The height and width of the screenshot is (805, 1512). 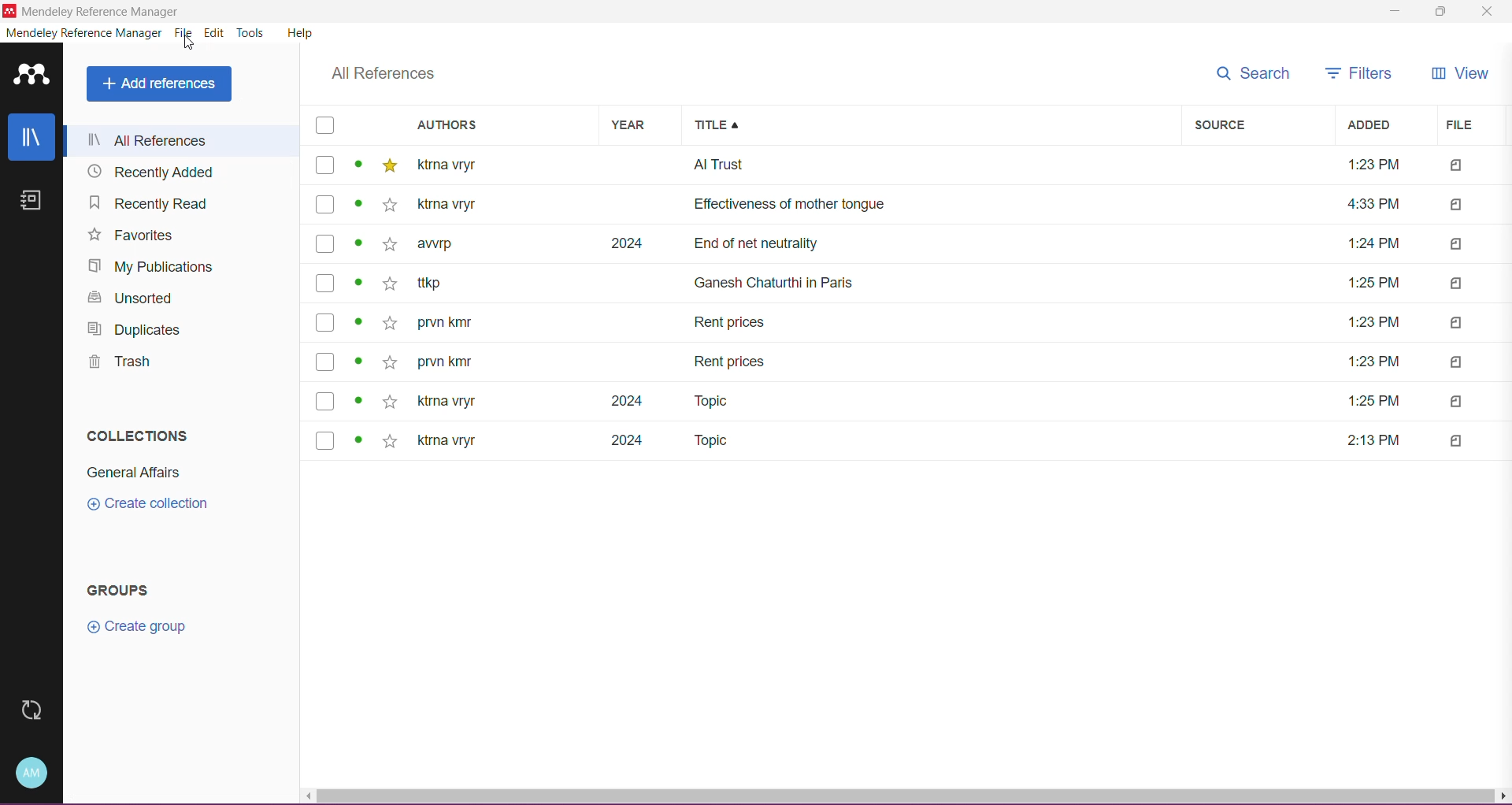 What do you see at coordinates (128, 299) in the screenshot?
I see `Unsorted` at bounding box center [128, 299].